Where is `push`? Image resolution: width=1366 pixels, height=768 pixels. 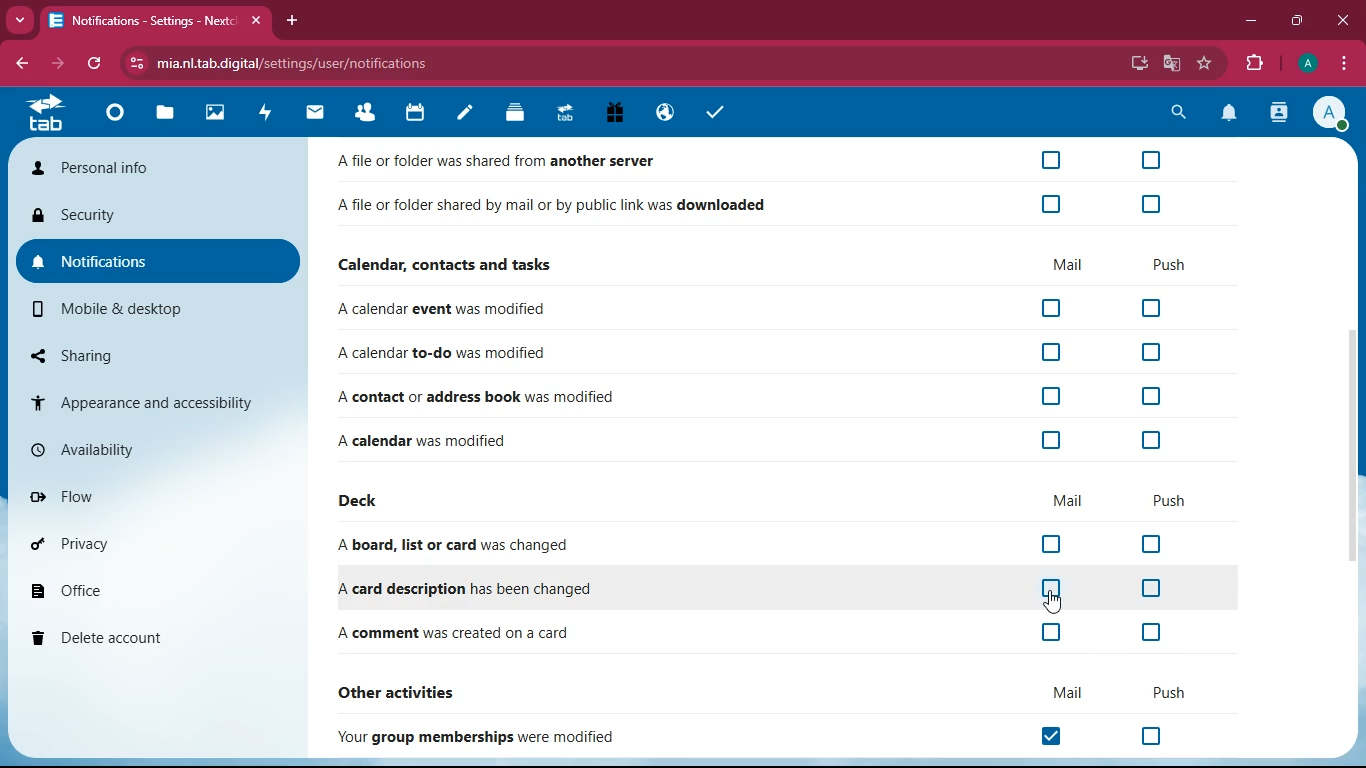 push is located at coordinates (1163, 691).